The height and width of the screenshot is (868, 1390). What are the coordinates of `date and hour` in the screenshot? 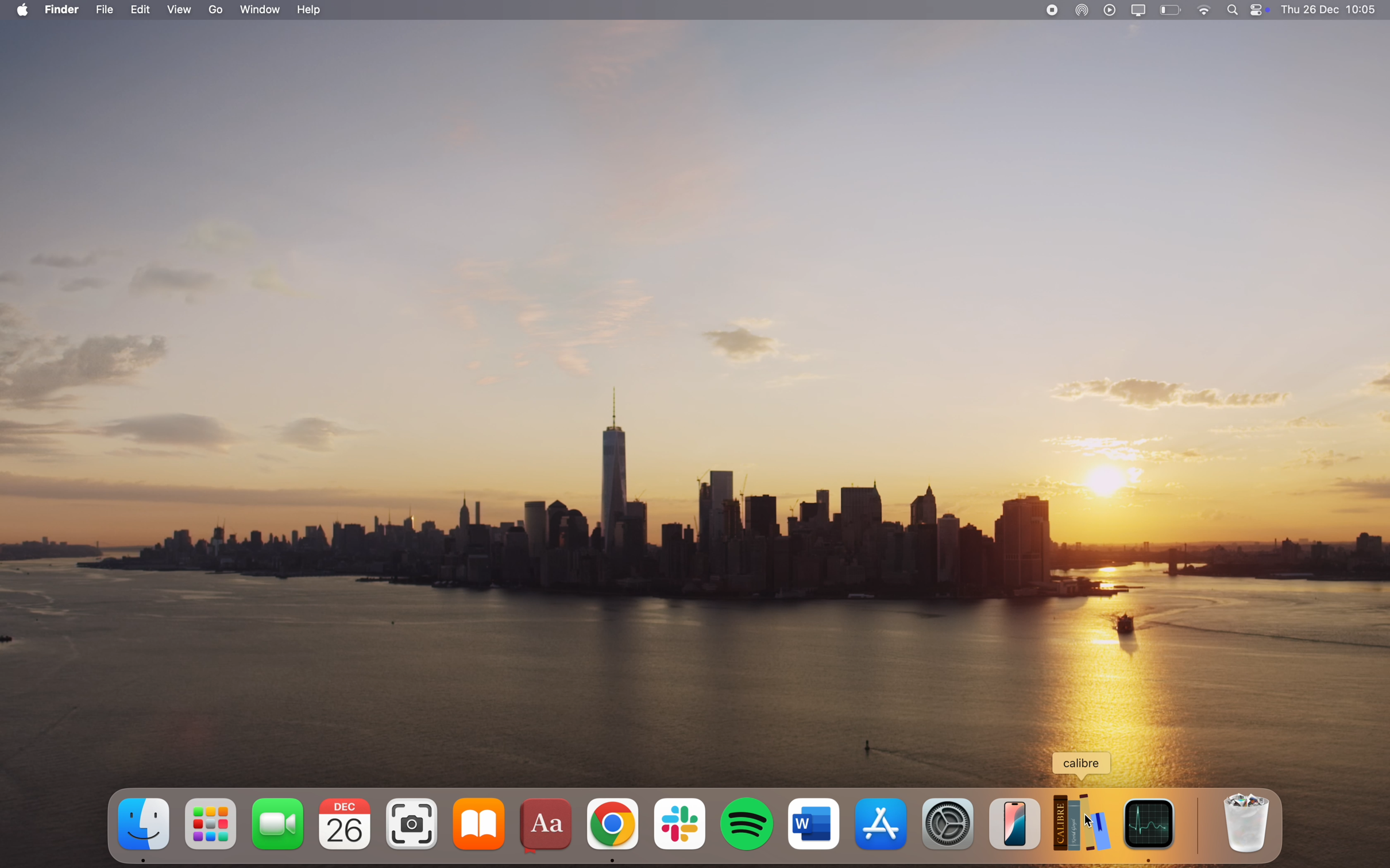 It's located at (1334, 10).